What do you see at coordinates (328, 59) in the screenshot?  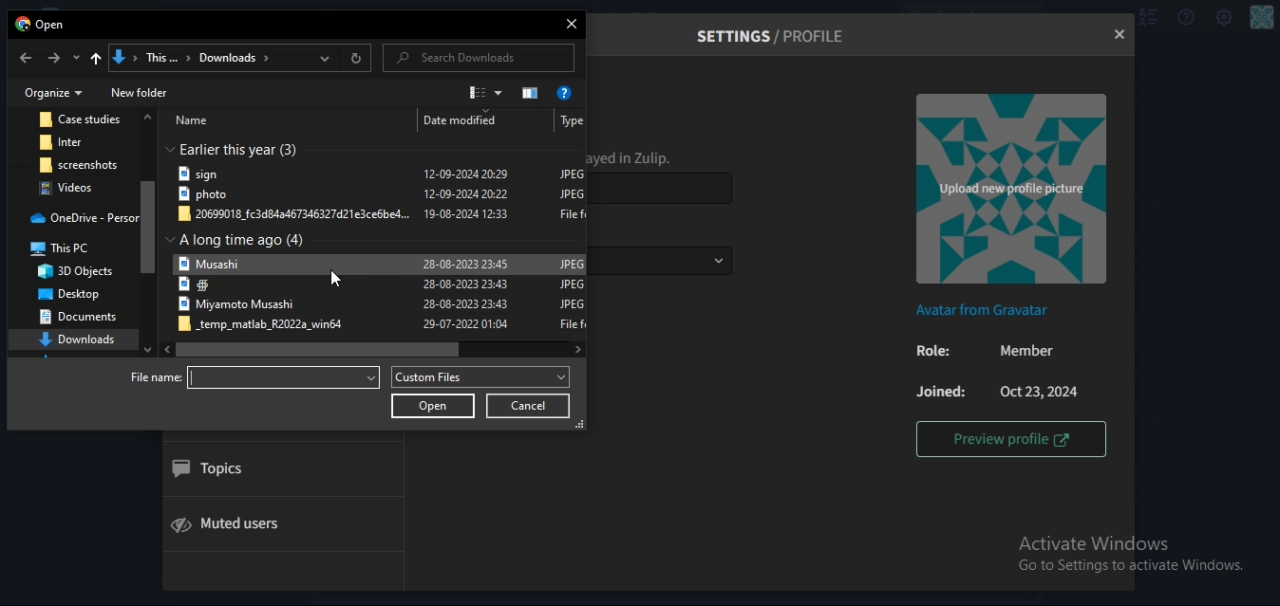 I see `dropdown` at bounding box center [328, 59].